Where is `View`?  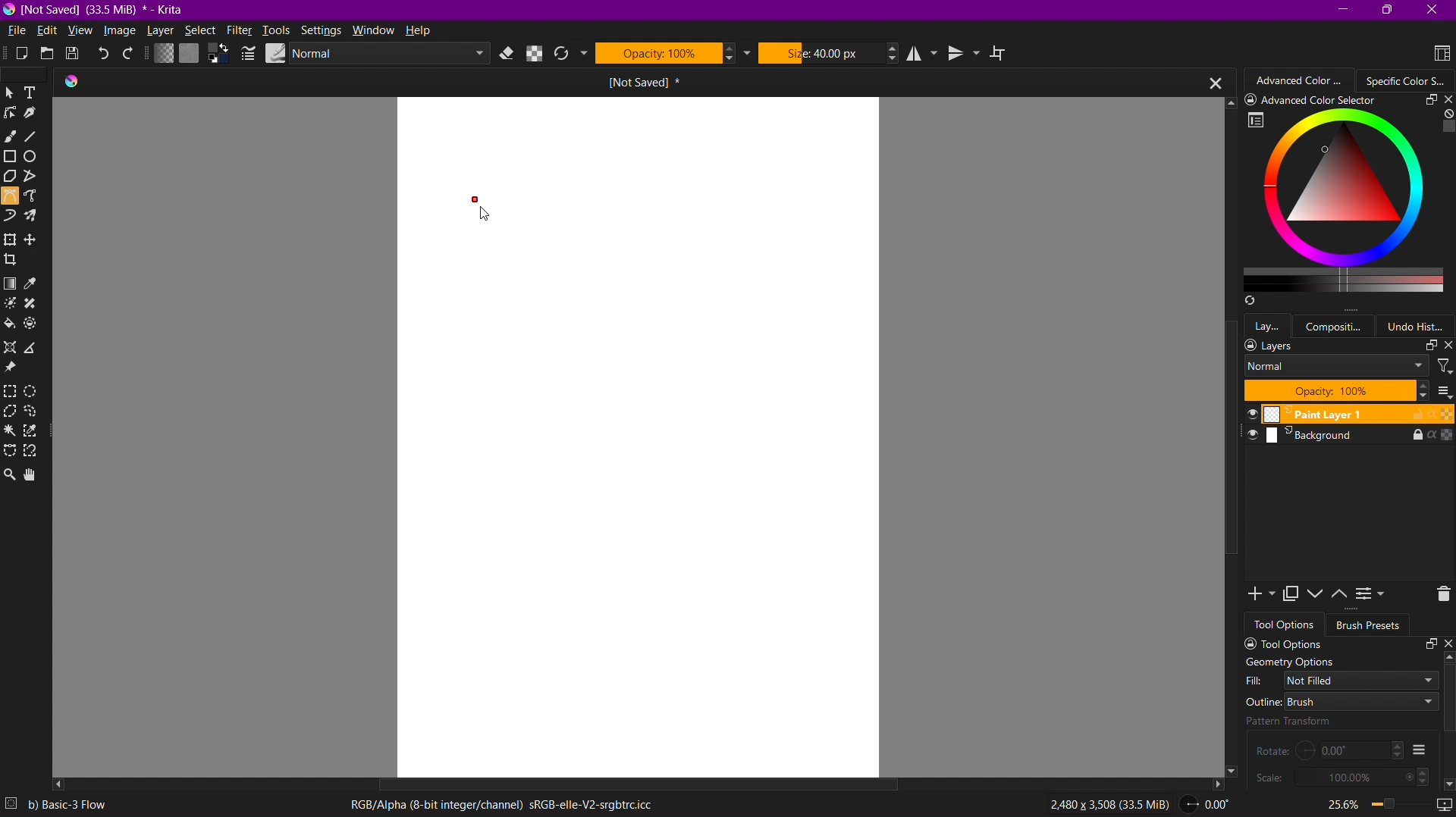
View is located at coordinates (80, 32).